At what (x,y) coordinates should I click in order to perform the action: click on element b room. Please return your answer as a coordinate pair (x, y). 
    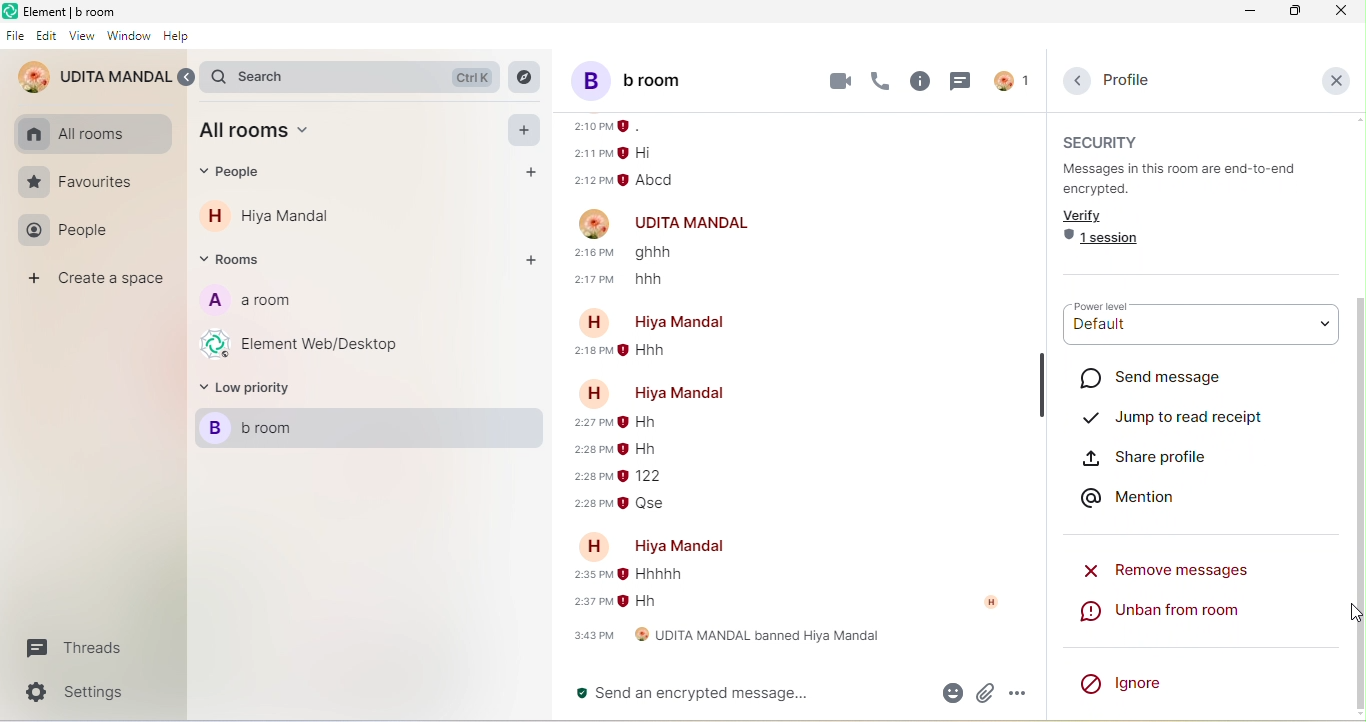
    Looking at the image, I should click on (76, 11).